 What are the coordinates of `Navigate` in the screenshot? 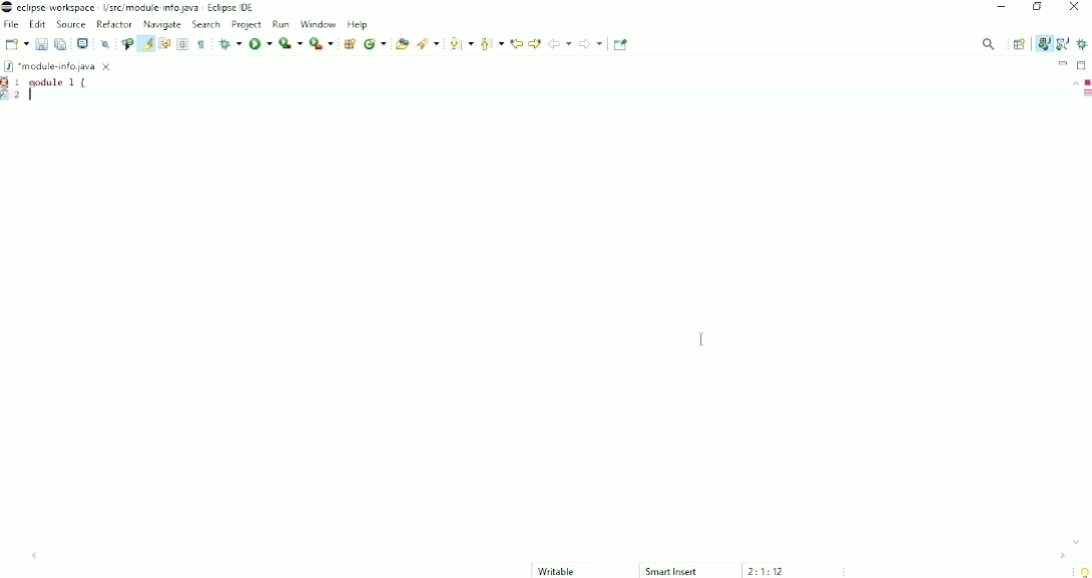 It's located at (163, 25).